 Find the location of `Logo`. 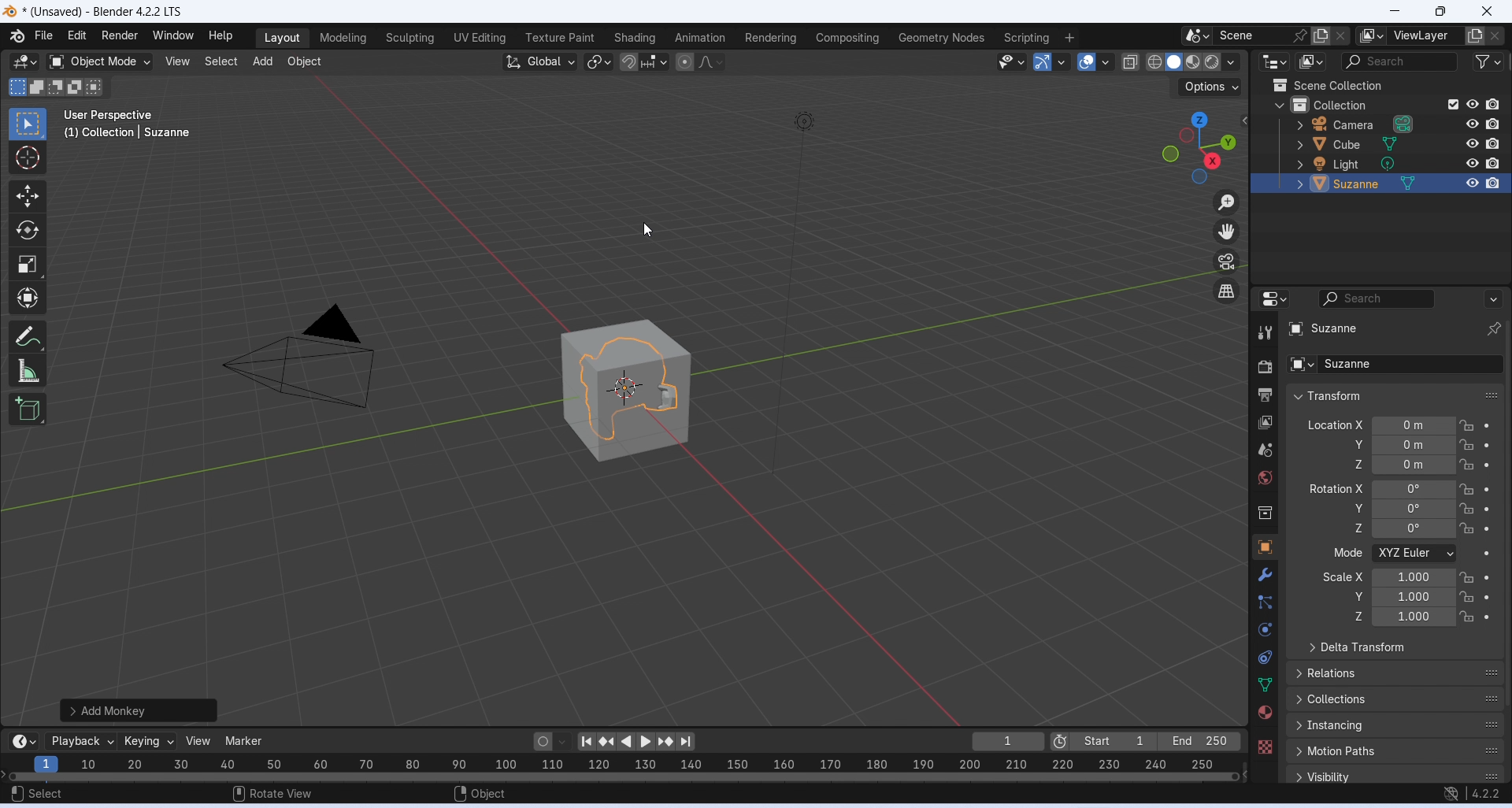

Logo is located at coordinates (17, 35).